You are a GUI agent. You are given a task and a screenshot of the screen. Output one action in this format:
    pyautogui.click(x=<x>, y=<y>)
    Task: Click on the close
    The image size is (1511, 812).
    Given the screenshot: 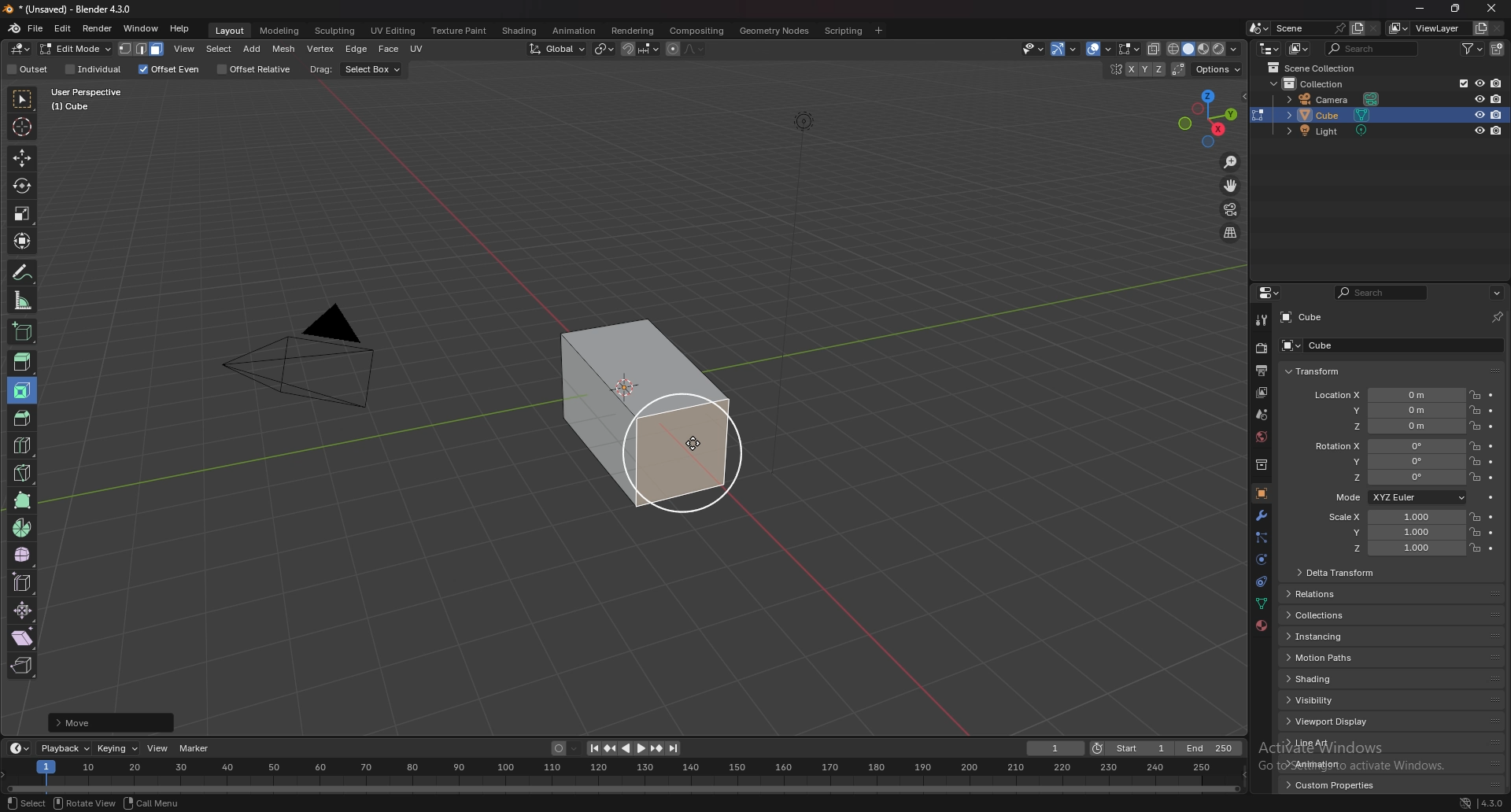 What is the action you would take?
    pyautogui.click(x=1493, y=9)
    